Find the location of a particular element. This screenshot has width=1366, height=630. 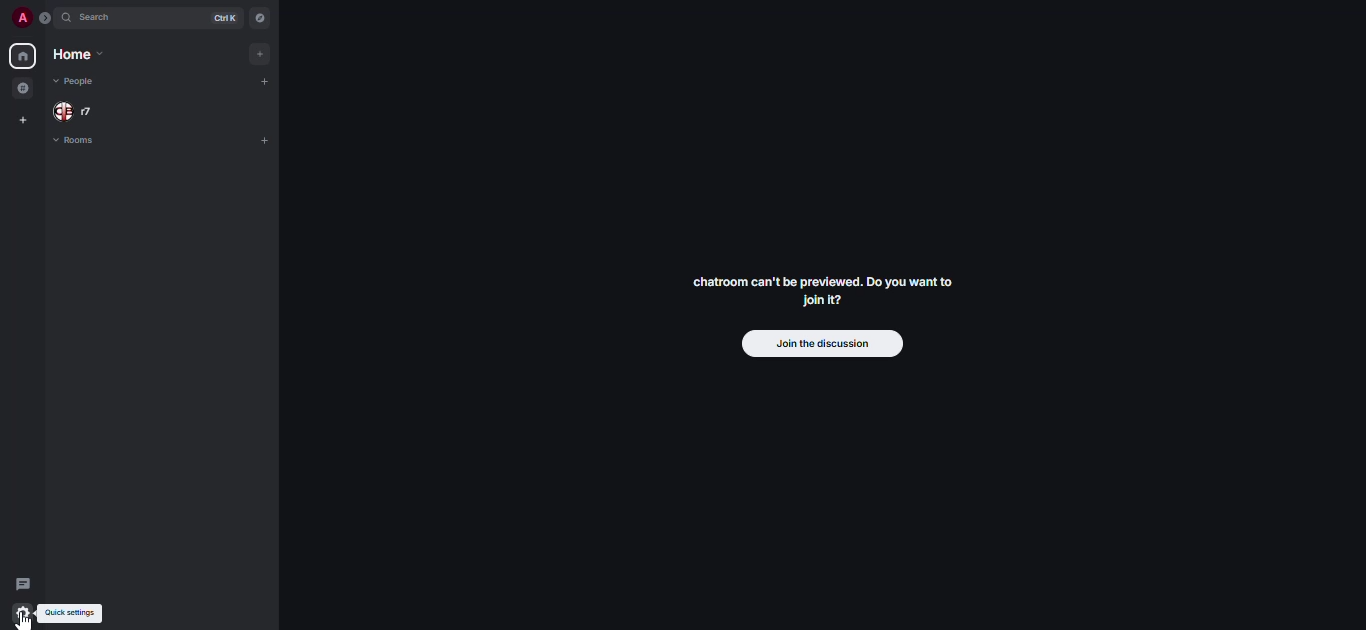

threads is located at coordinates (24, 585).